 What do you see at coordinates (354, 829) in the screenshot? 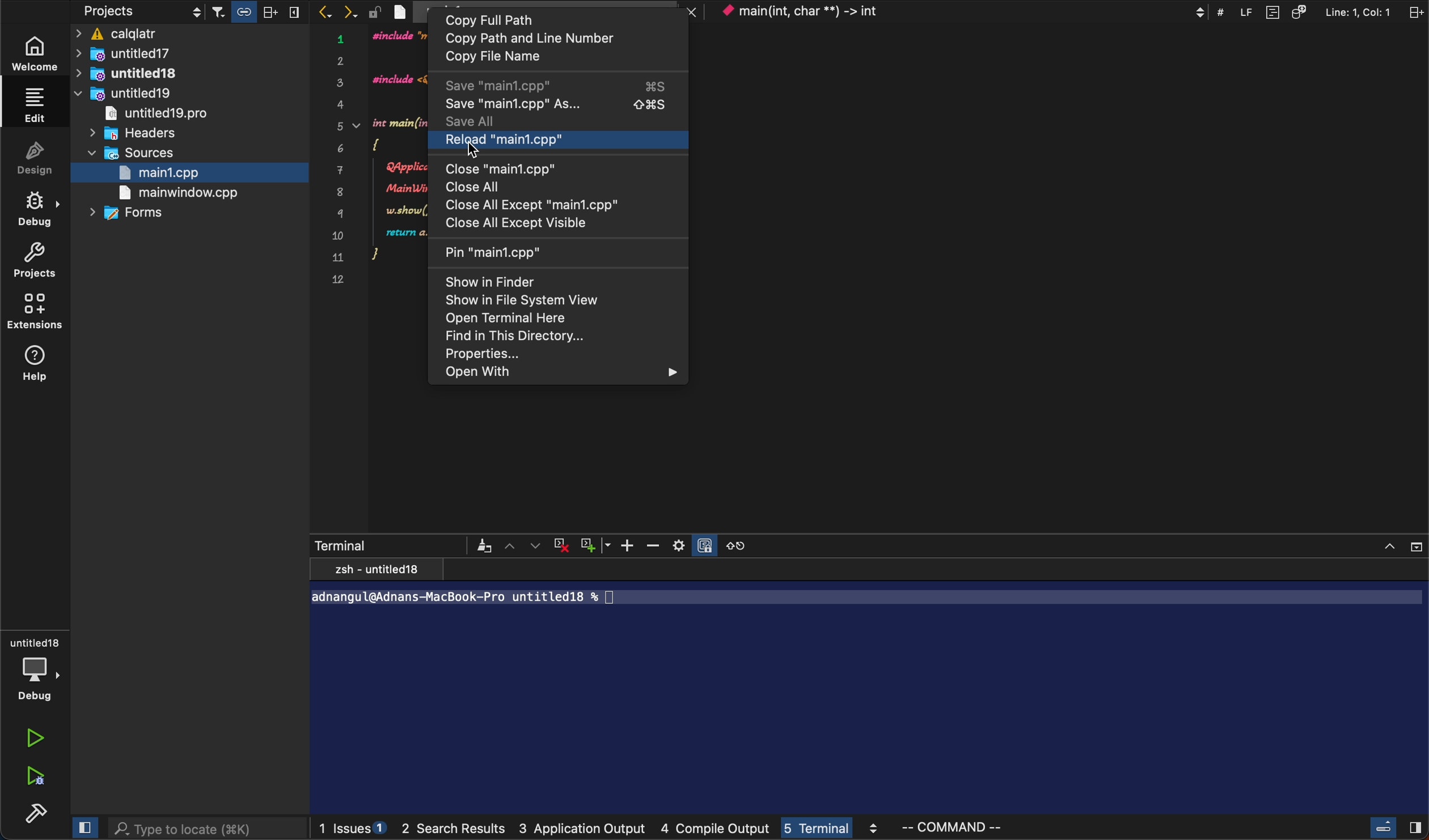
I see `issues` at bounding box center [354, 829].